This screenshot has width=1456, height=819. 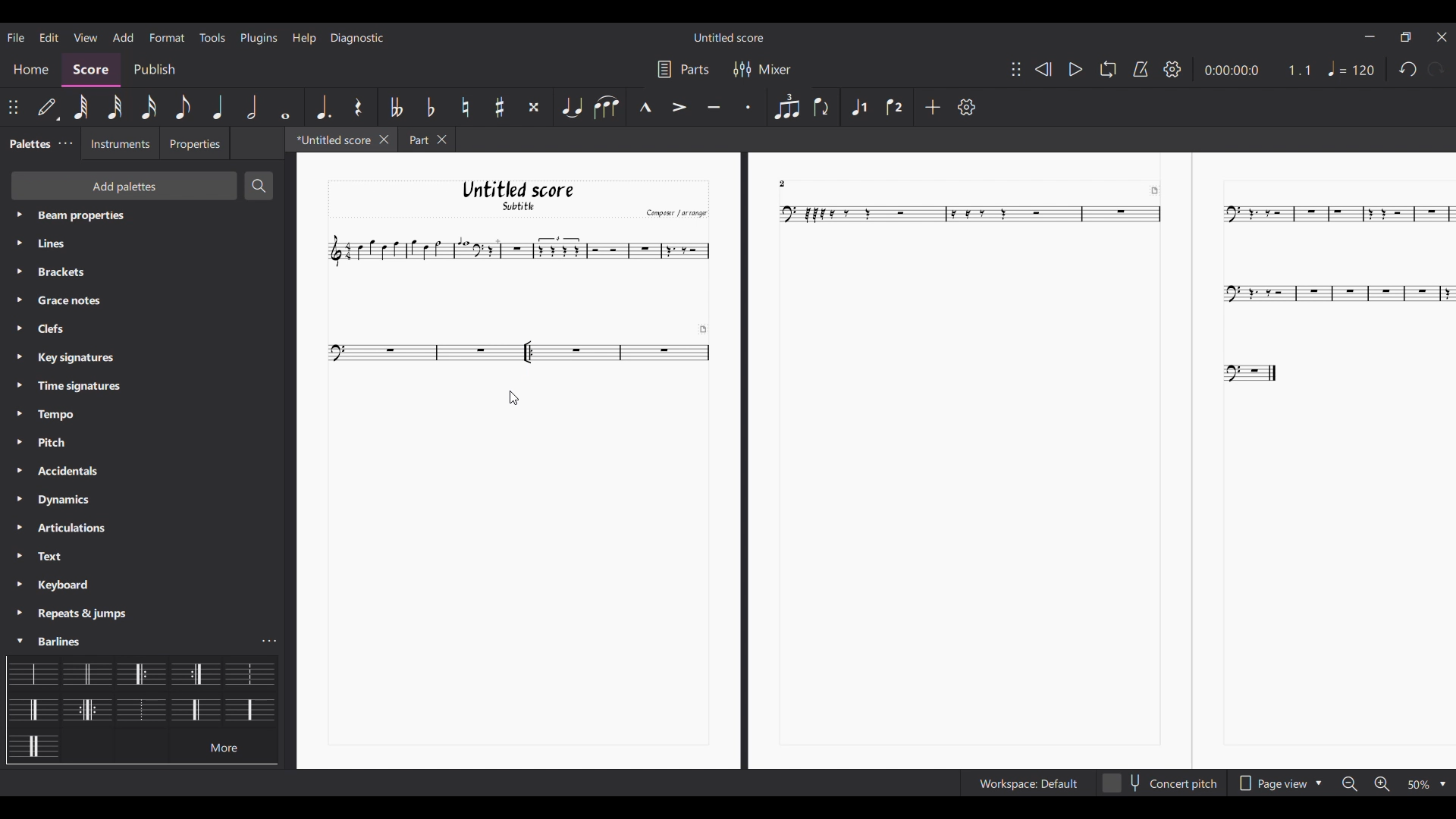 What do you see at coordinates (77, 301) in the screenshot?
I see `Palette settings` at bounding box center [77, 301].